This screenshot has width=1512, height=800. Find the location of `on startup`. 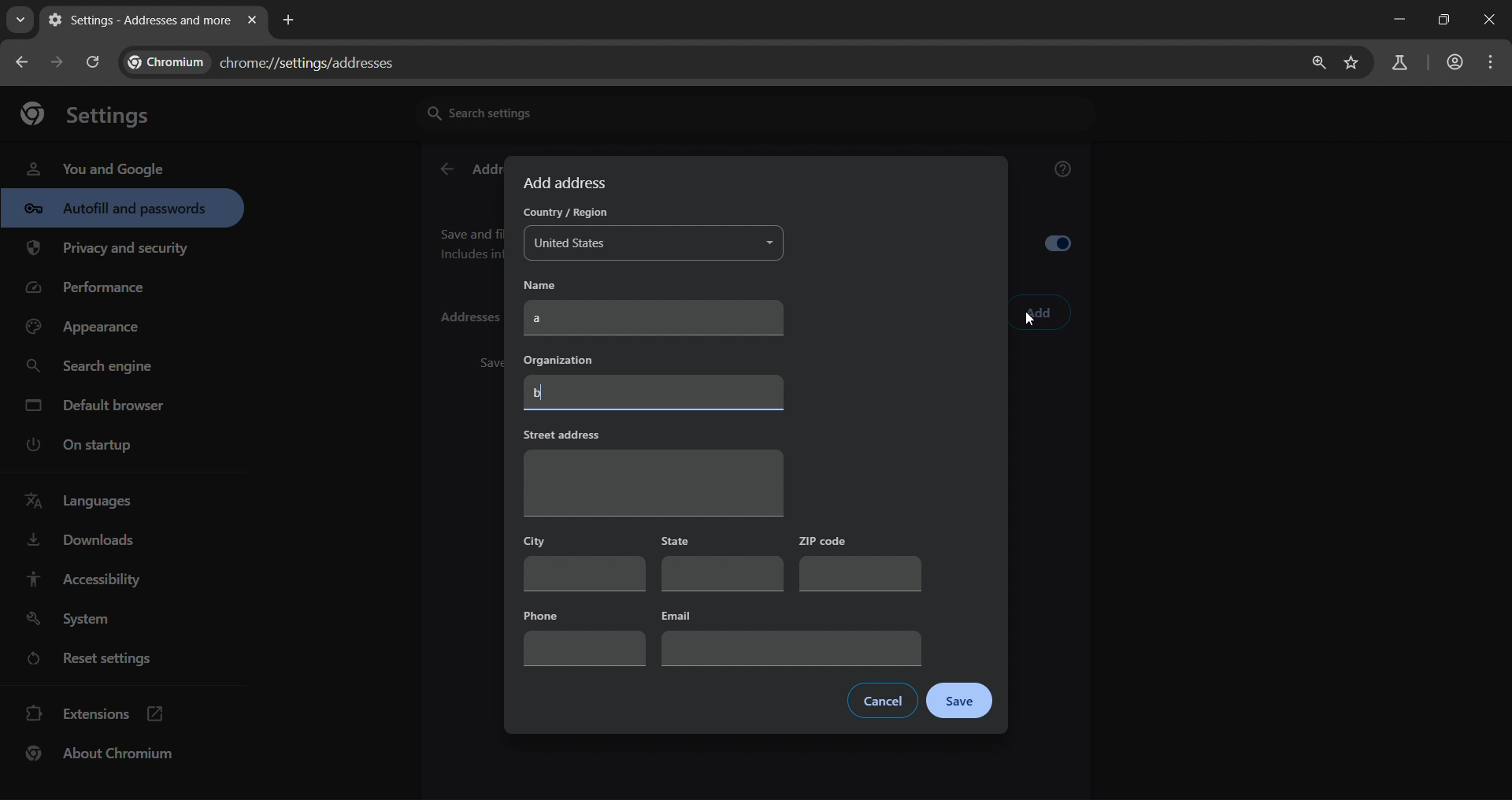

on startup is located at coordinates (90, 446).